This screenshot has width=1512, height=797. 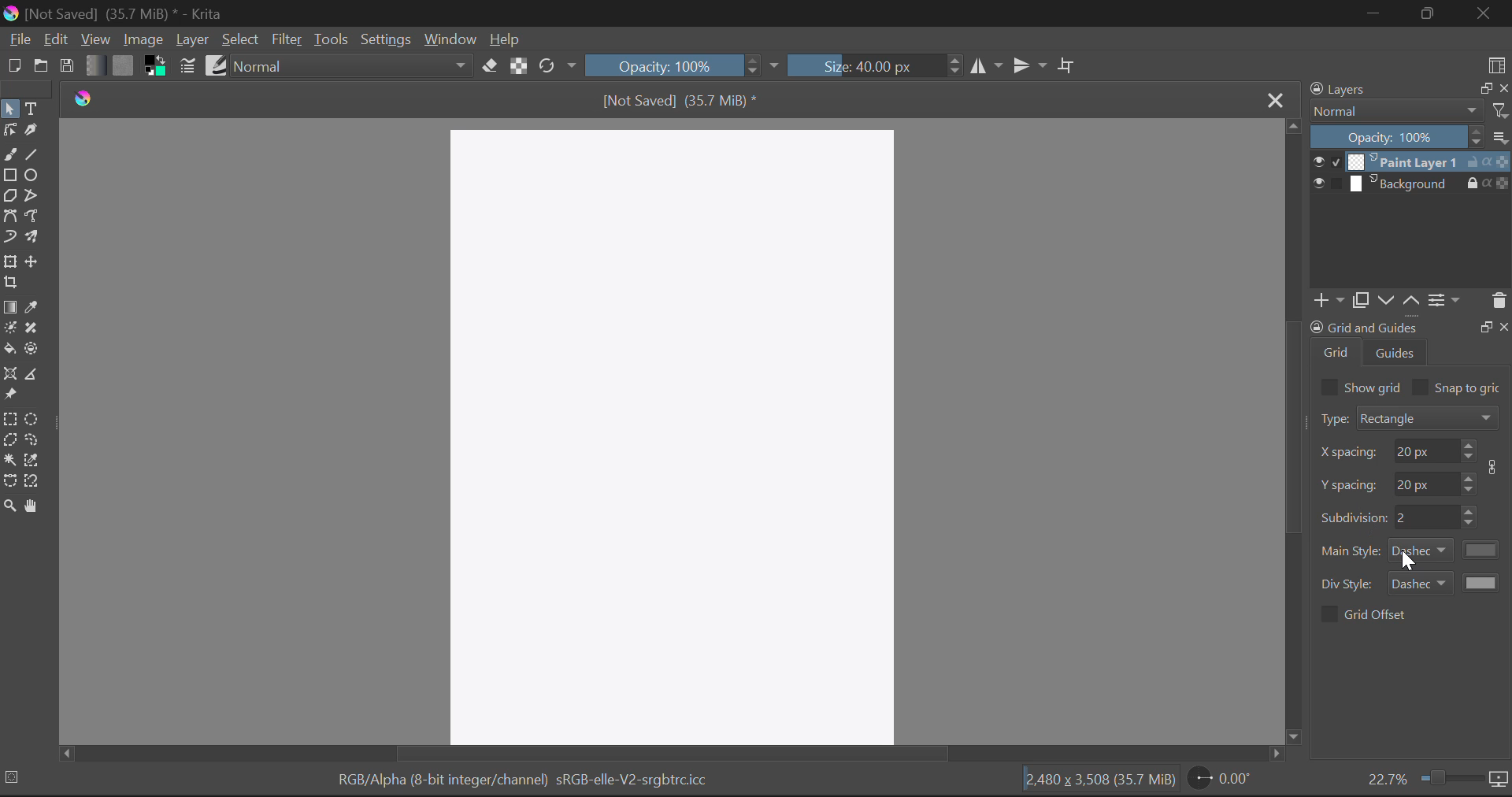 I want to click on Eraser, so click(x=490, y=66).